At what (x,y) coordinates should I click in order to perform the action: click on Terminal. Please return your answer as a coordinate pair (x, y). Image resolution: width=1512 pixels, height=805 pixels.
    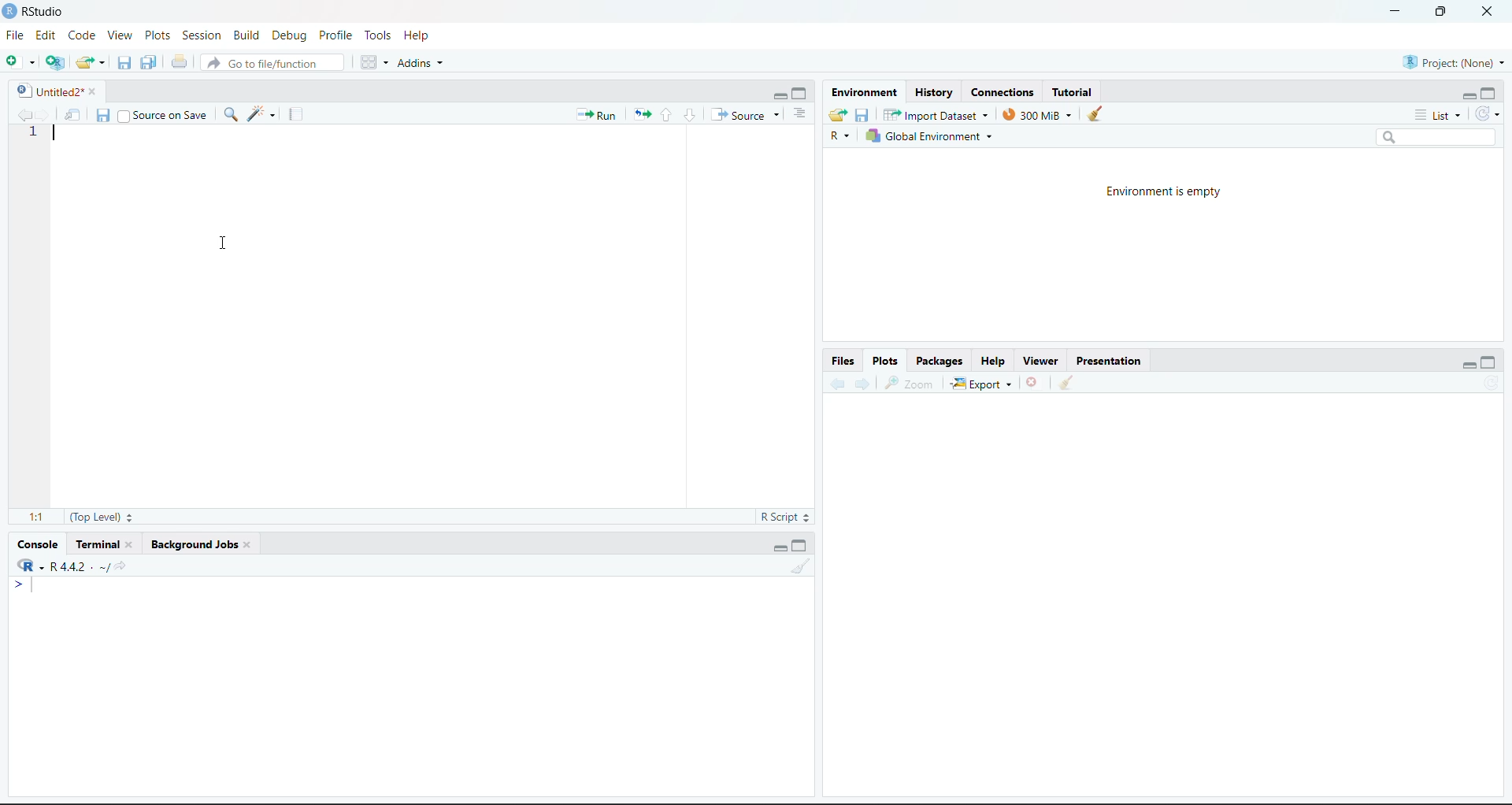
    Looking at the image, I should click on (103, 545).